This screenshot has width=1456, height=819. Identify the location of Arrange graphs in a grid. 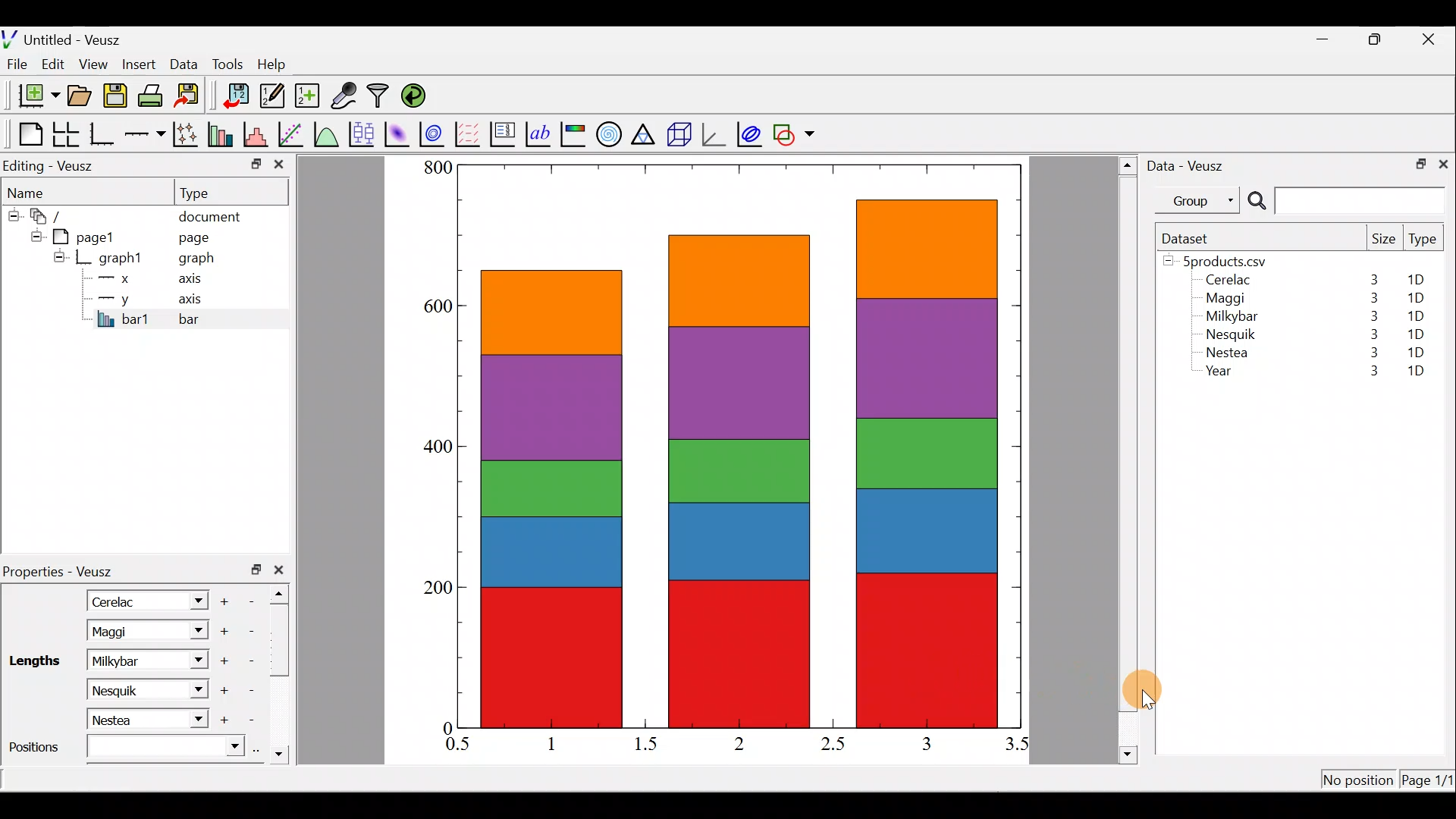
(65, 134).